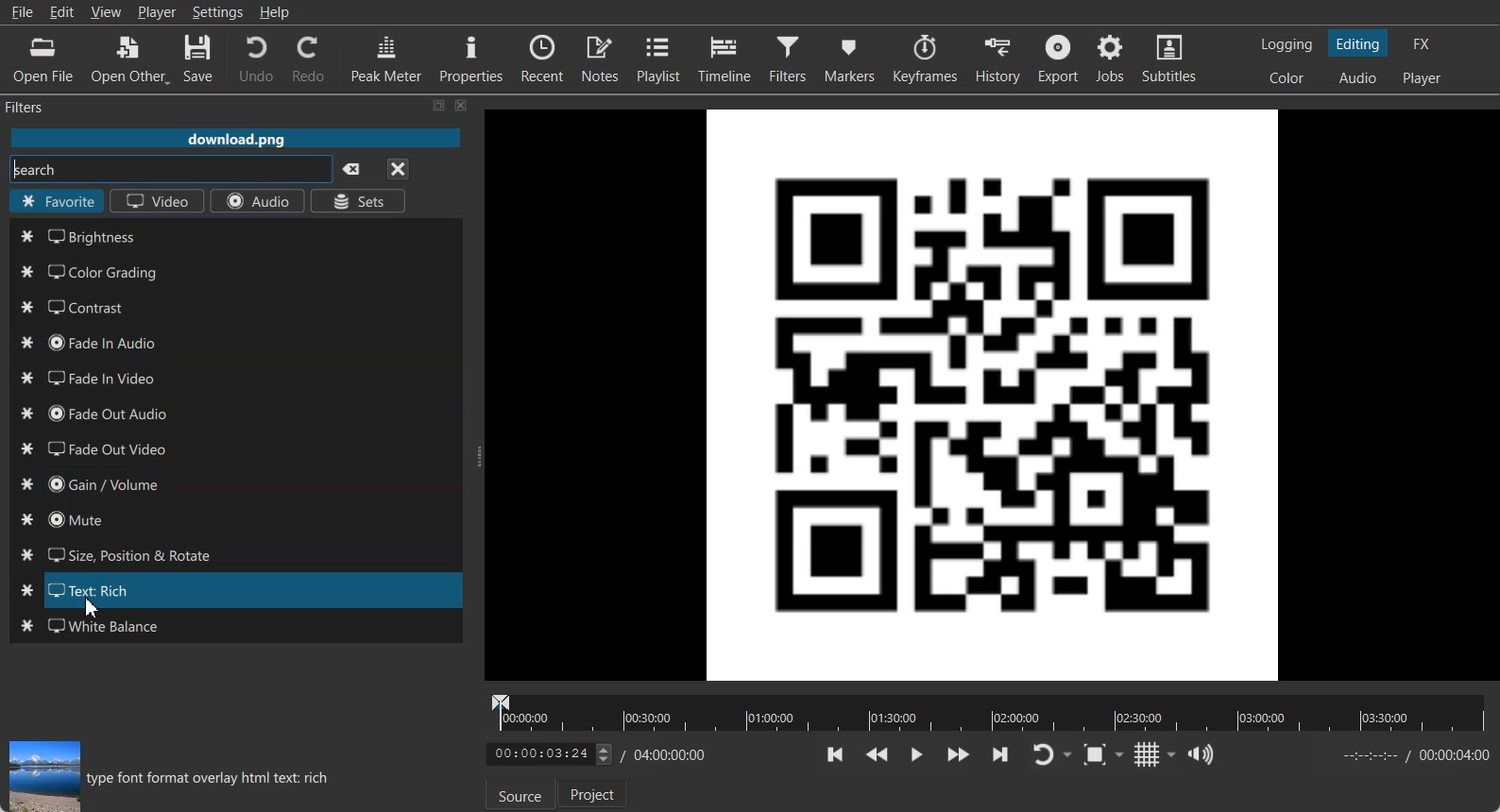 Image resolution: width=1500 pixels, height=812 pixels. What do you see at coordinates (517, 795) in the screenshot?
I see `Source` at bounding box center [517, 795].